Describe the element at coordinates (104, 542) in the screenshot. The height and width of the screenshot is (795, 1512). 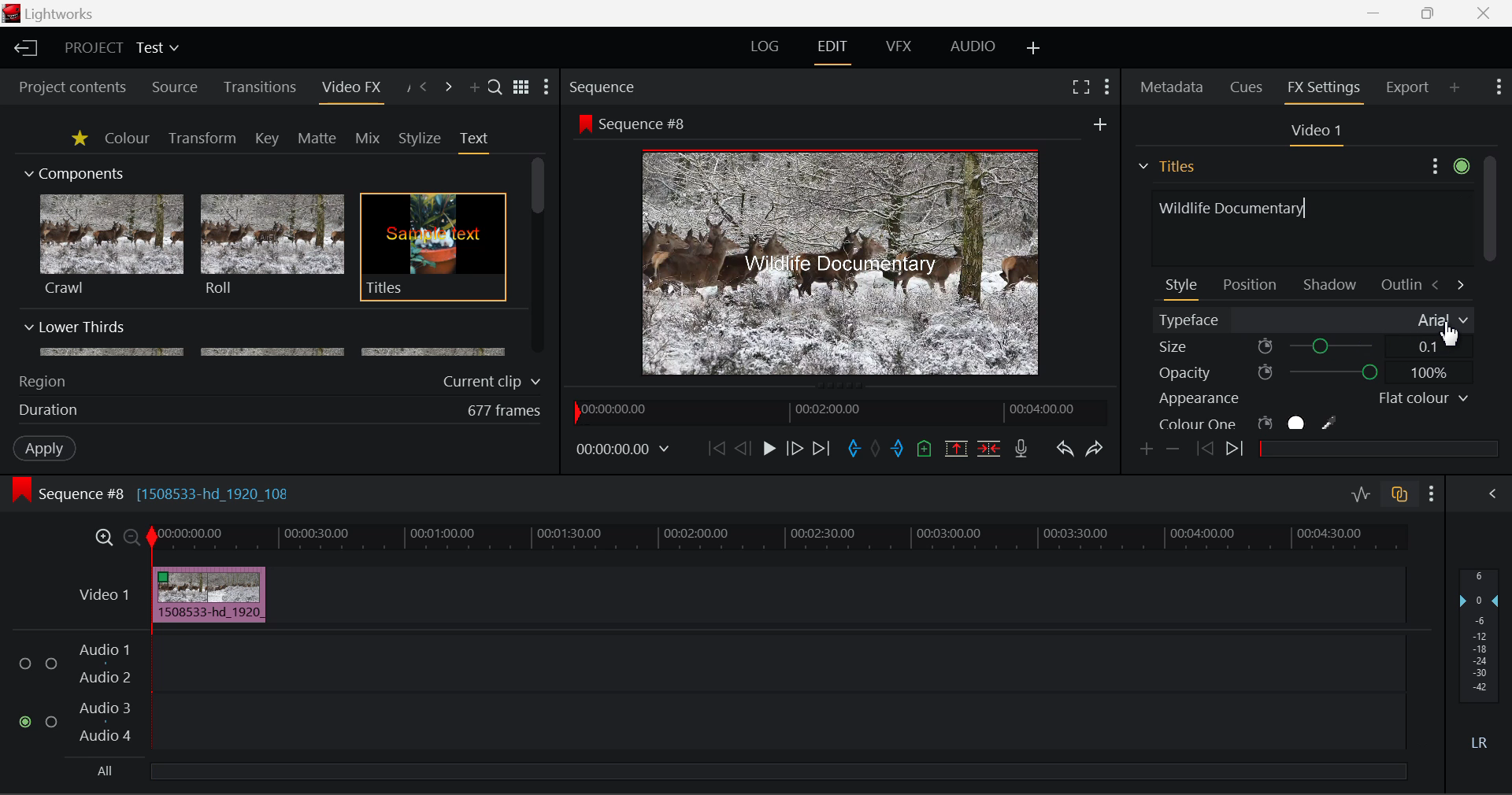
I see `Zoom In Timeline` at that location.